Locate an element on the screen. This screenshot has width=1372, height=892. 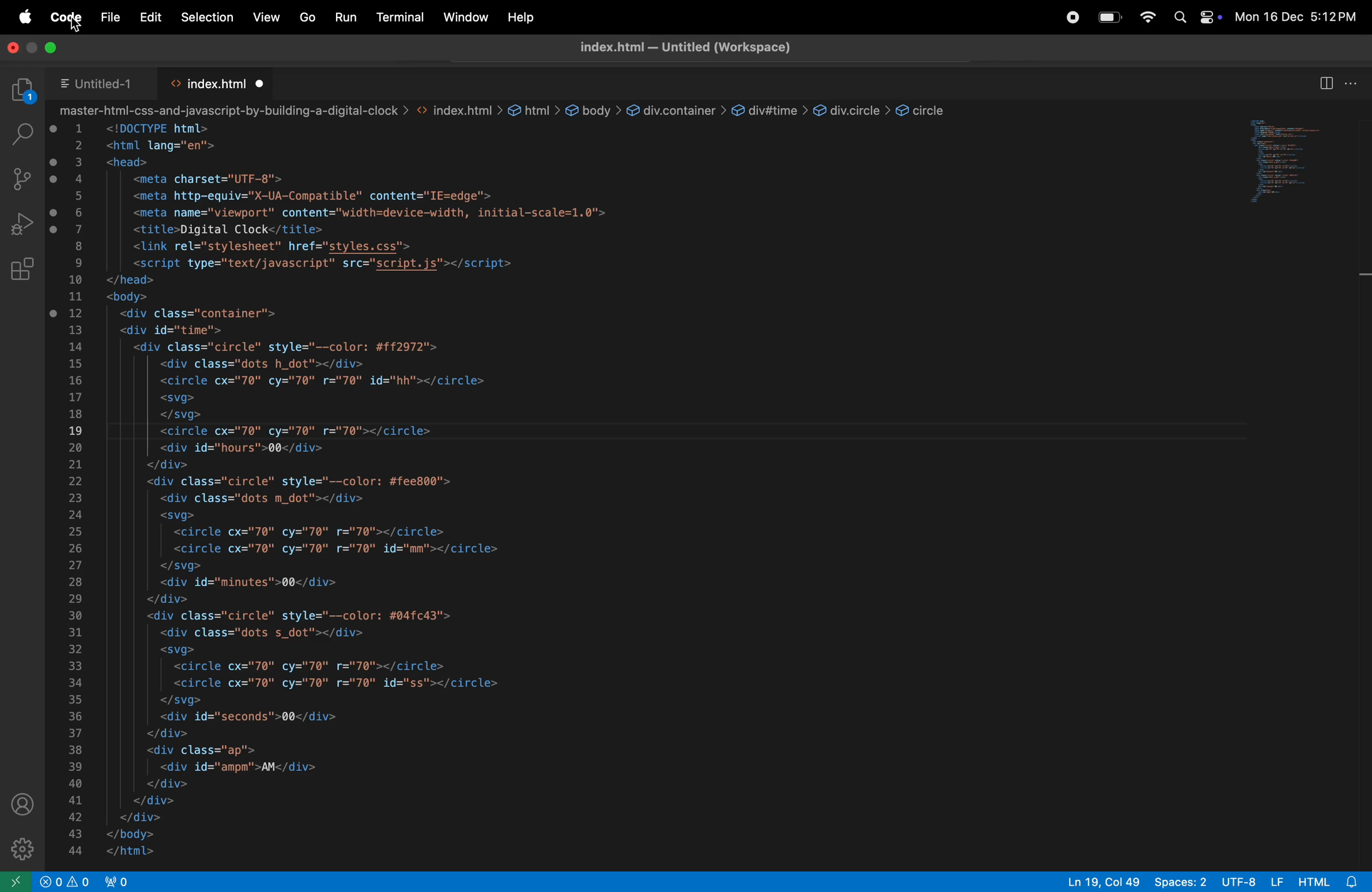
extensions is located at coordinates (22, 271).